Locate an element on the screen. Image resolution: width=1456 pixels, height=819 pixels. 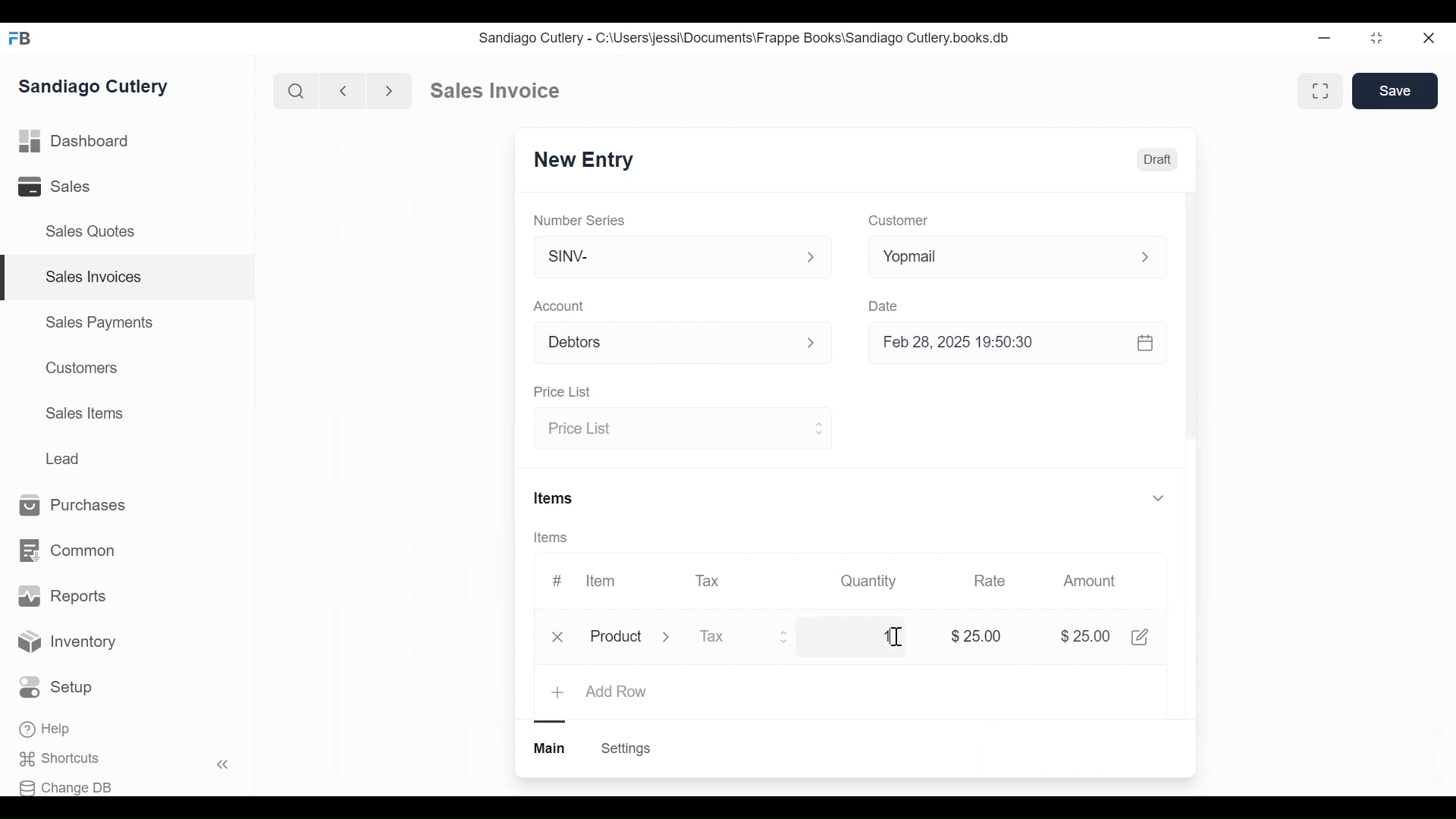
Quantity is located at coordinates (870, 581).